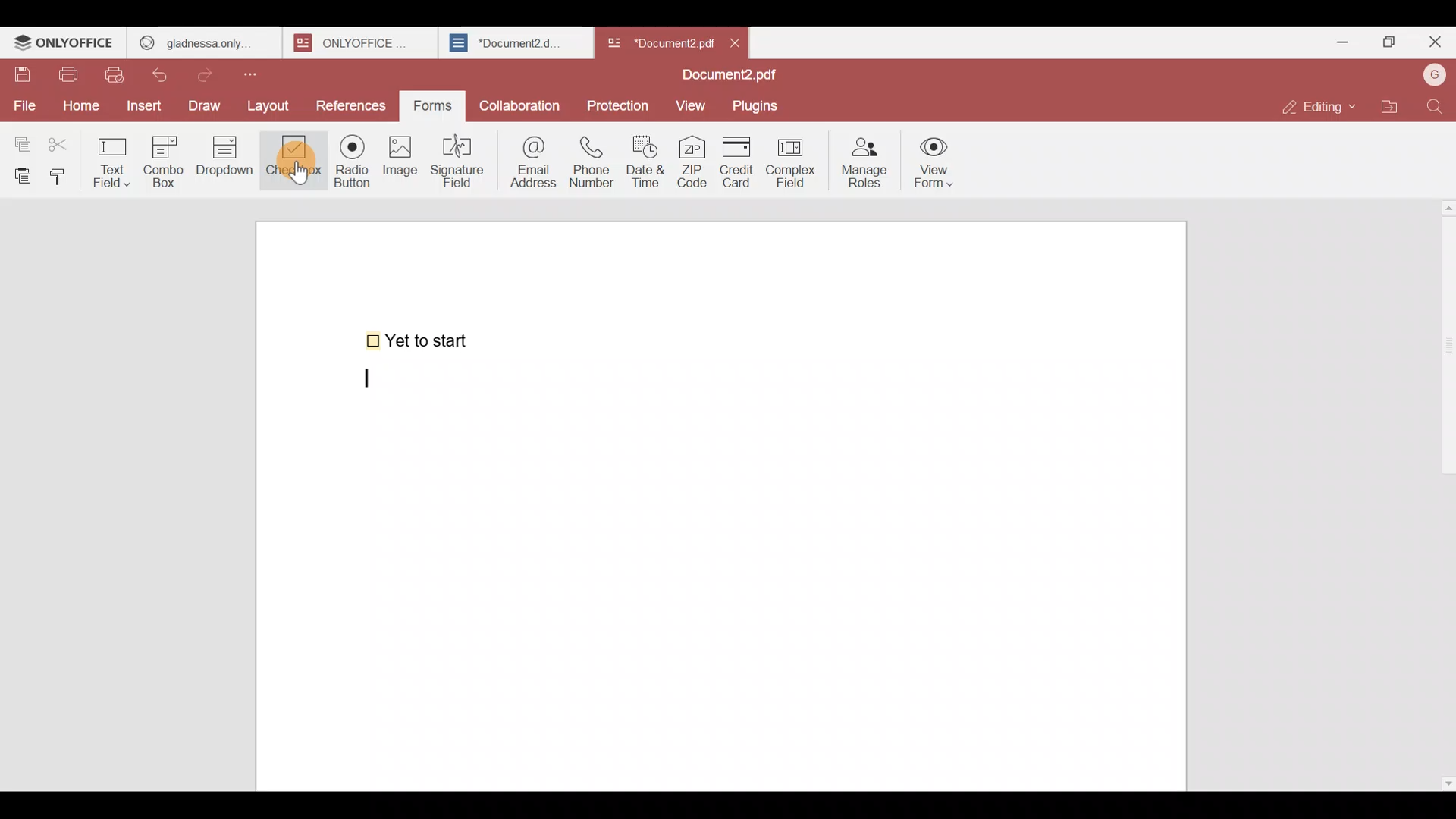  Describe the element at coordinates (515, 47) in the screenshot. I see `Document2.d` at that location.